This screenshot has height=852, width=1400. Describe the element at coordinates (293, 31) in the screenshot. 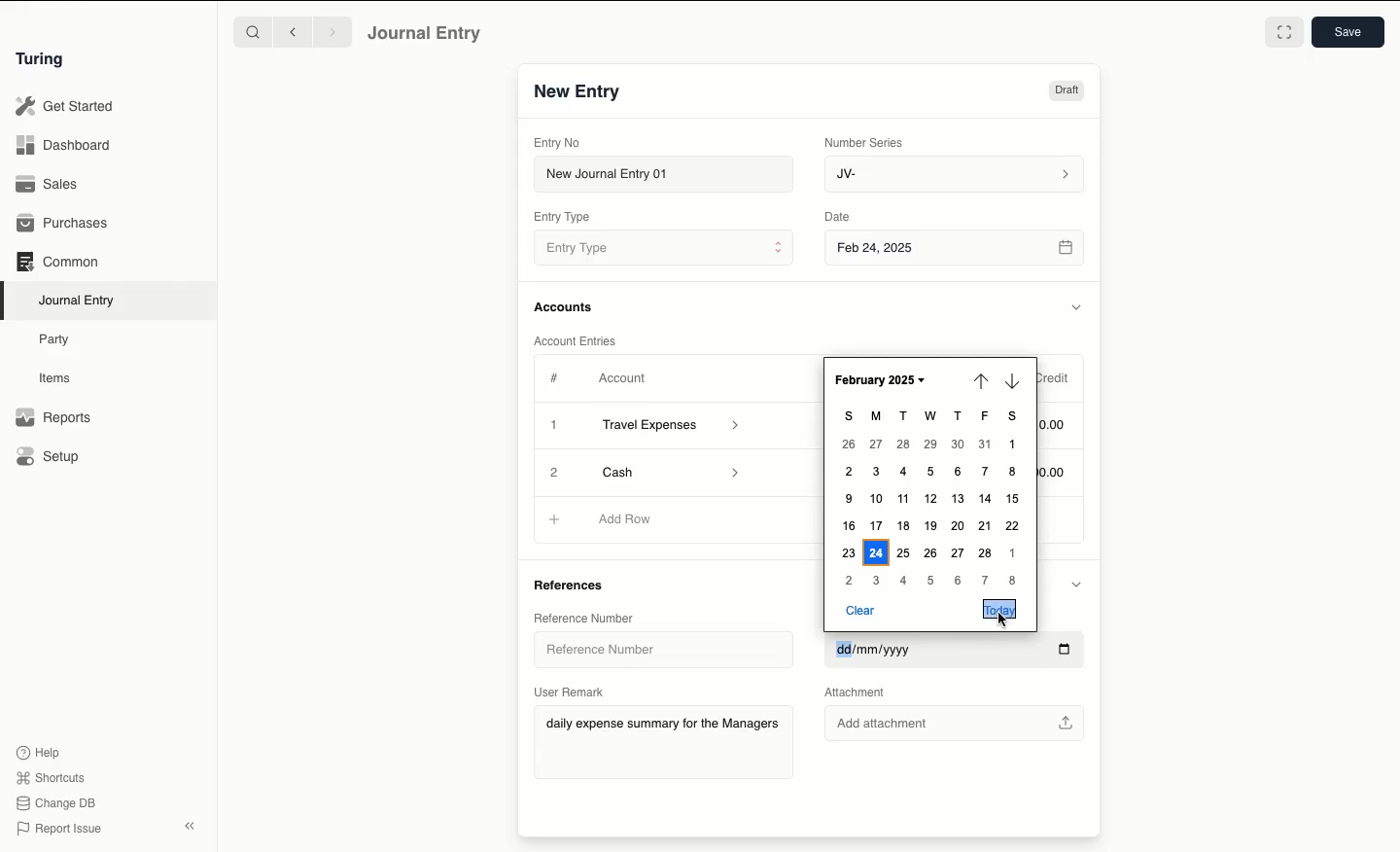

I see `Backward` at that location.